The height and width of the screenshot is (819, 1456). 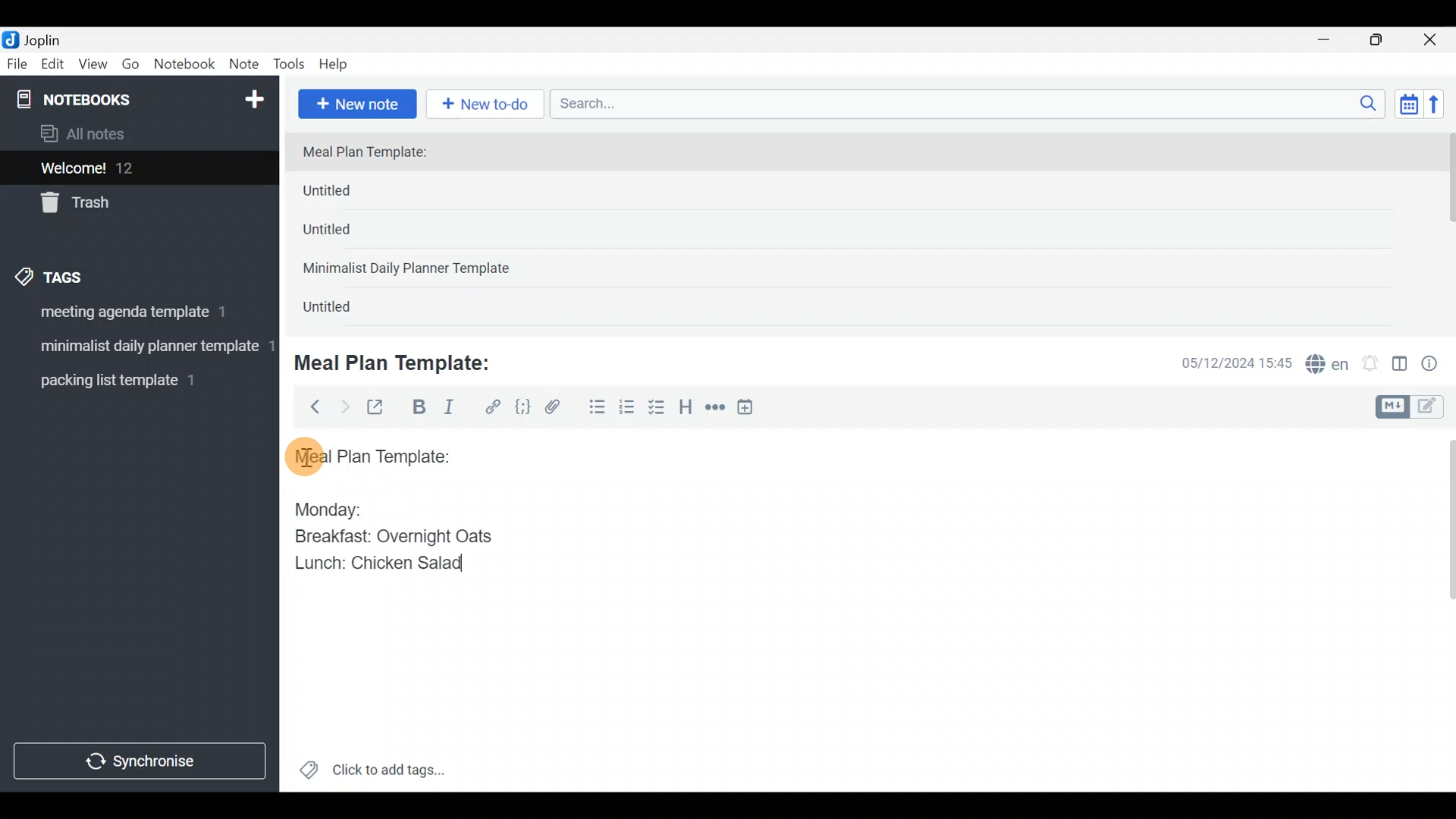 What do you see at coordinates (1328, 366) in the screenshot?
I see `Spelling` at bounding box center [1328, 366].